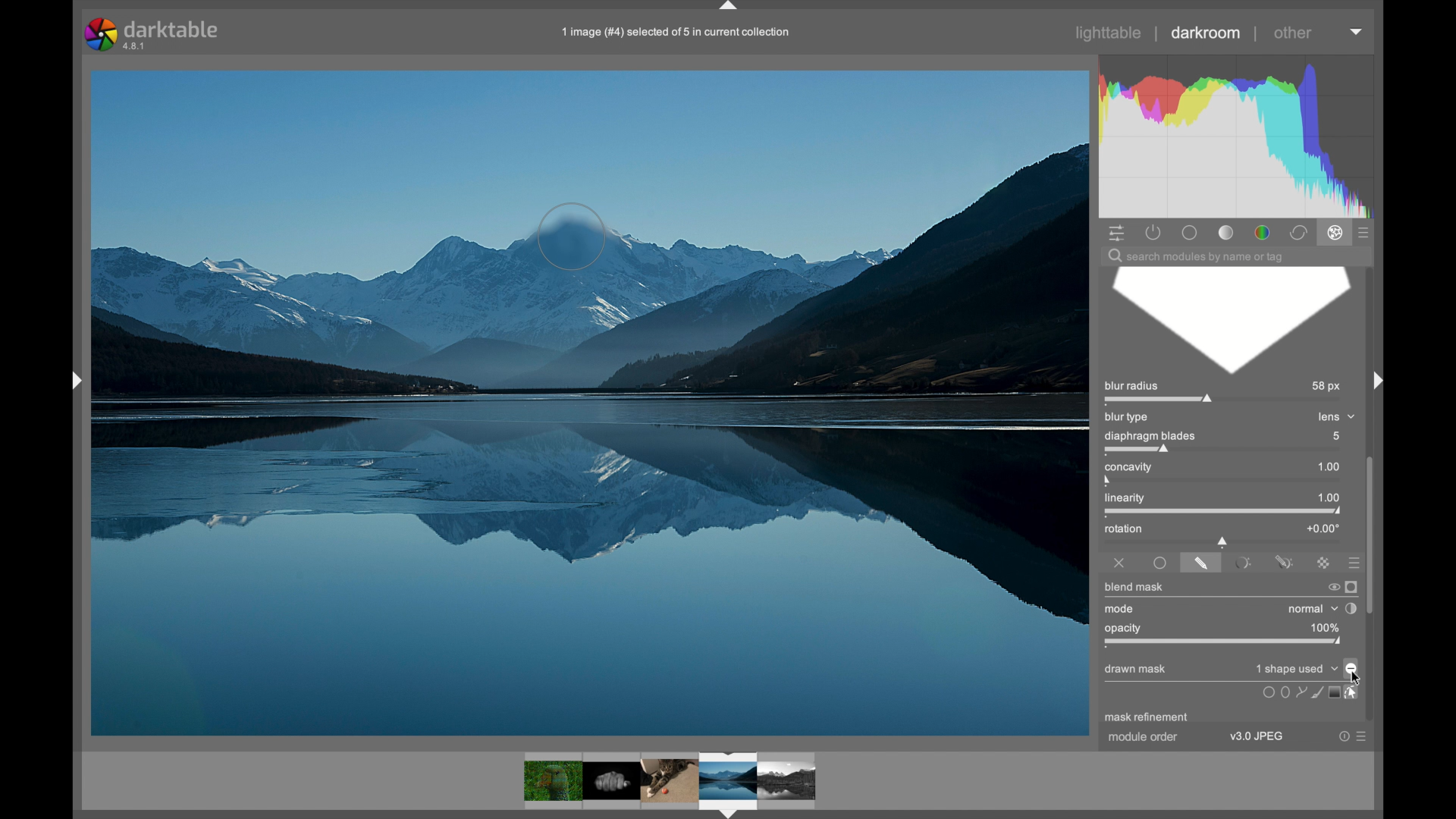  I want to click on base, so click(1191, 232).